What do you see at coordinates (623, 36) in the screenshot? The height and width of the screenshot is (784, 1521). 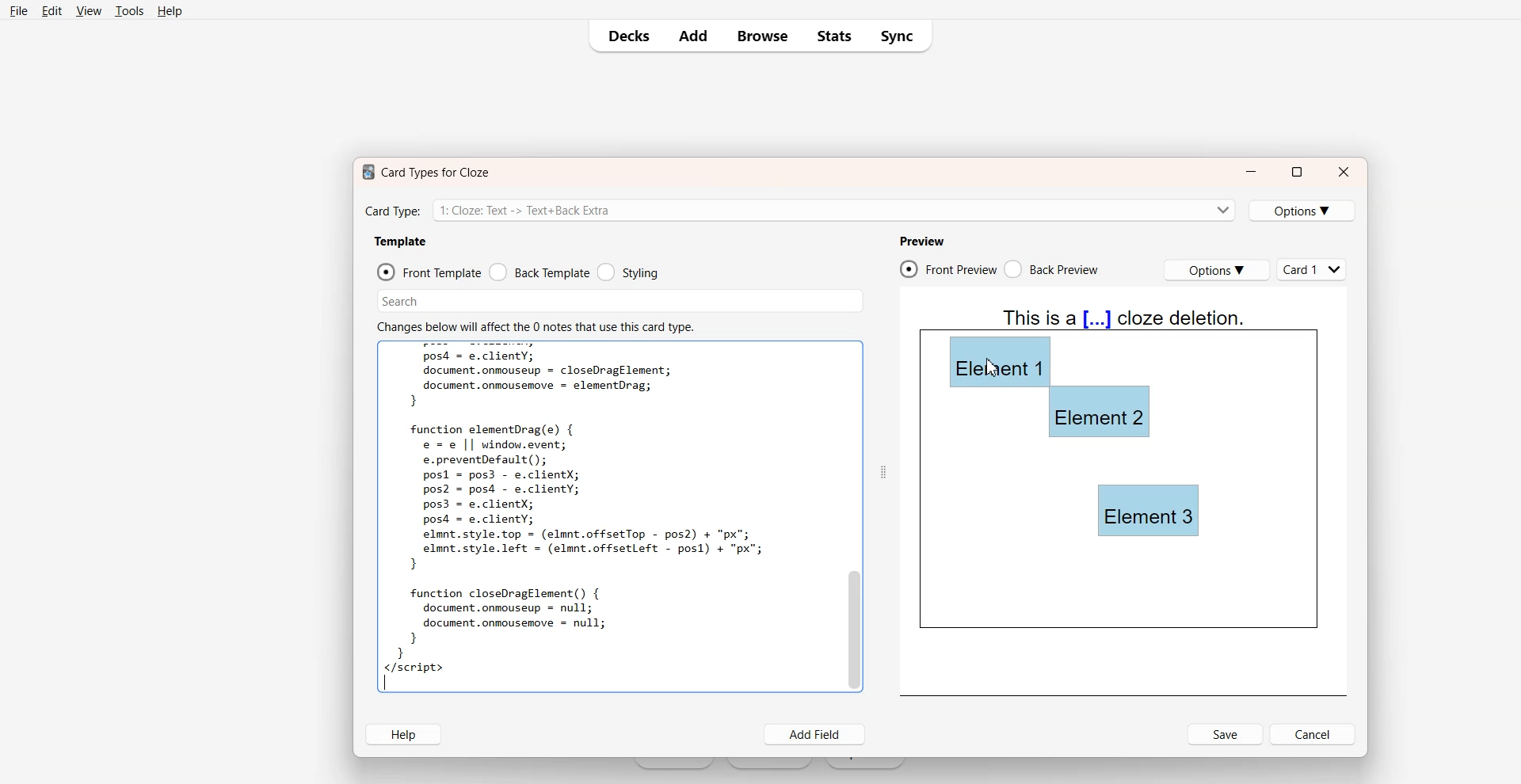 I see `Decks` at bounding box center [623, 36].